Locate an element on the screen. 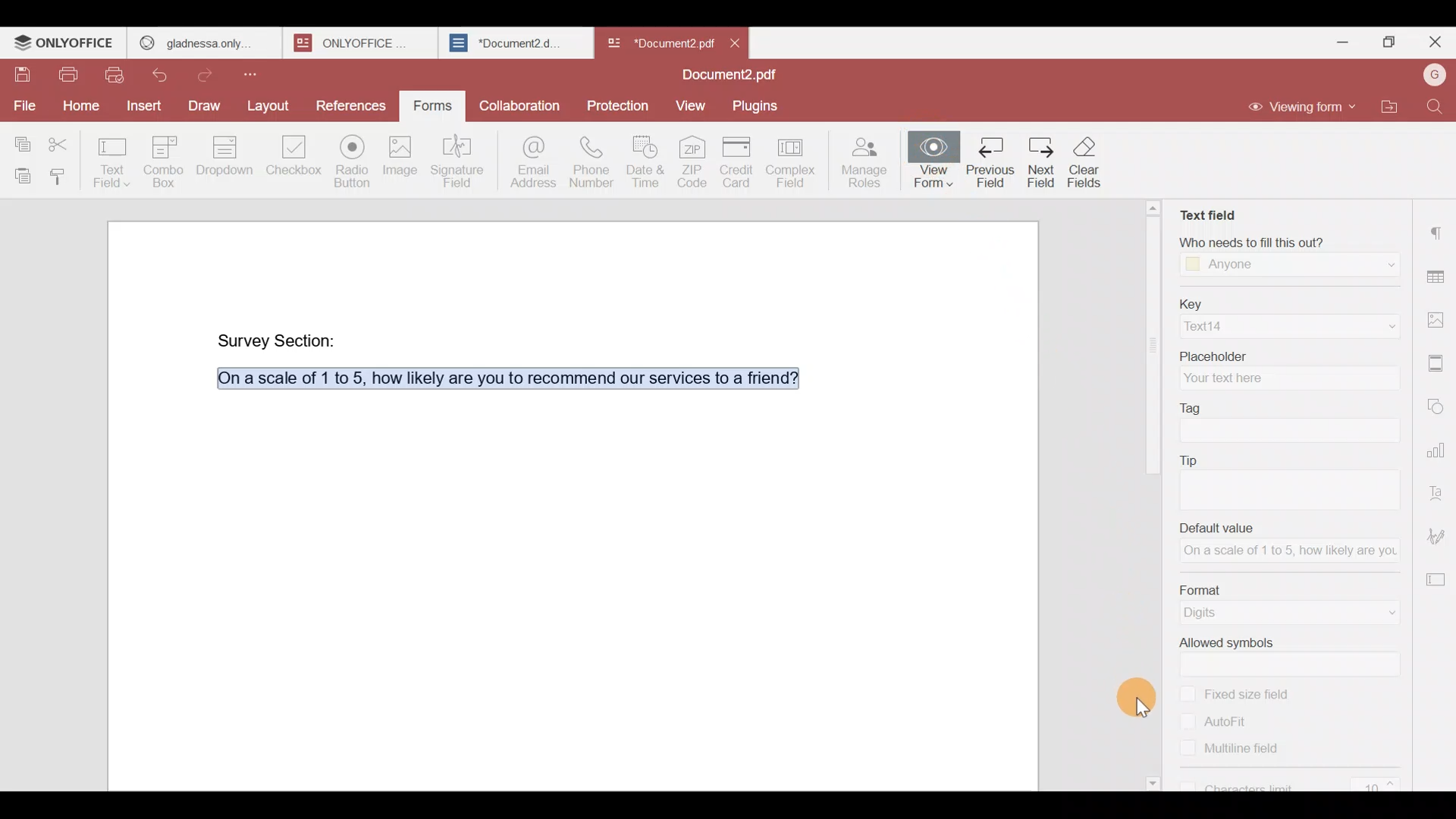  Home is located at coordinates (79, 104).